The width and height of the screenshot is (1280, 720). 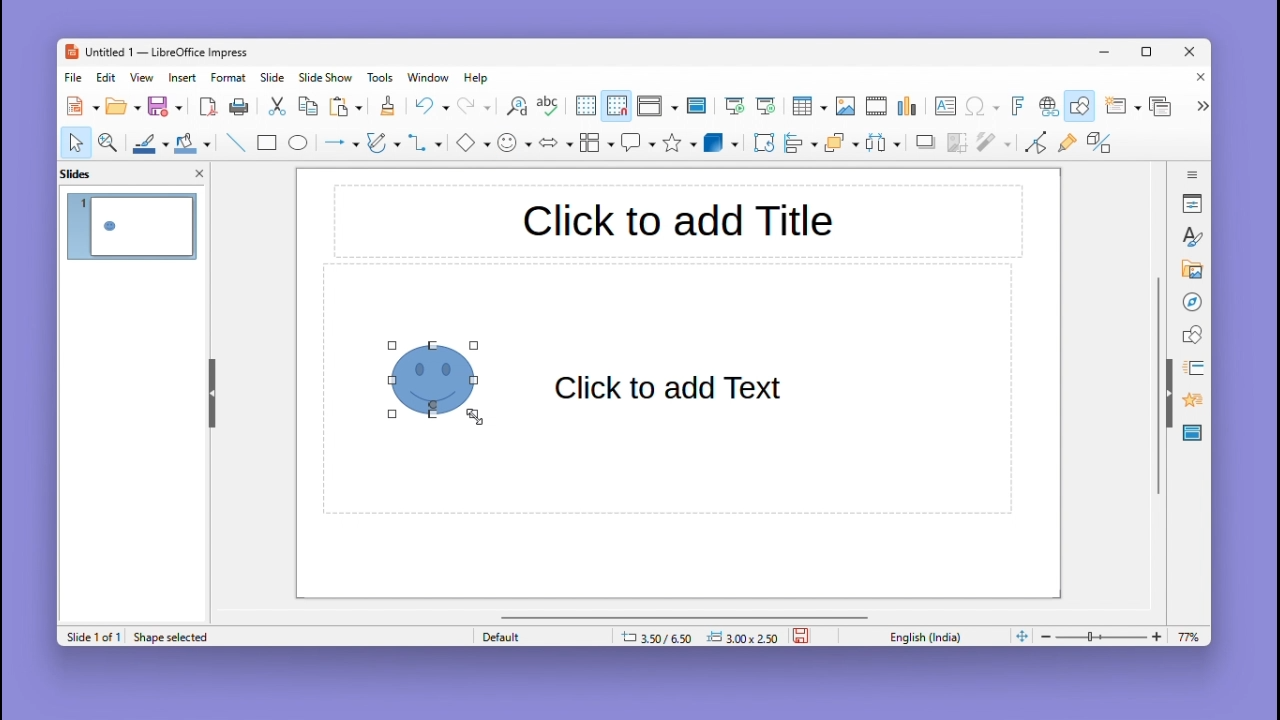 I want to click on Window, so click(x=433, y=77).